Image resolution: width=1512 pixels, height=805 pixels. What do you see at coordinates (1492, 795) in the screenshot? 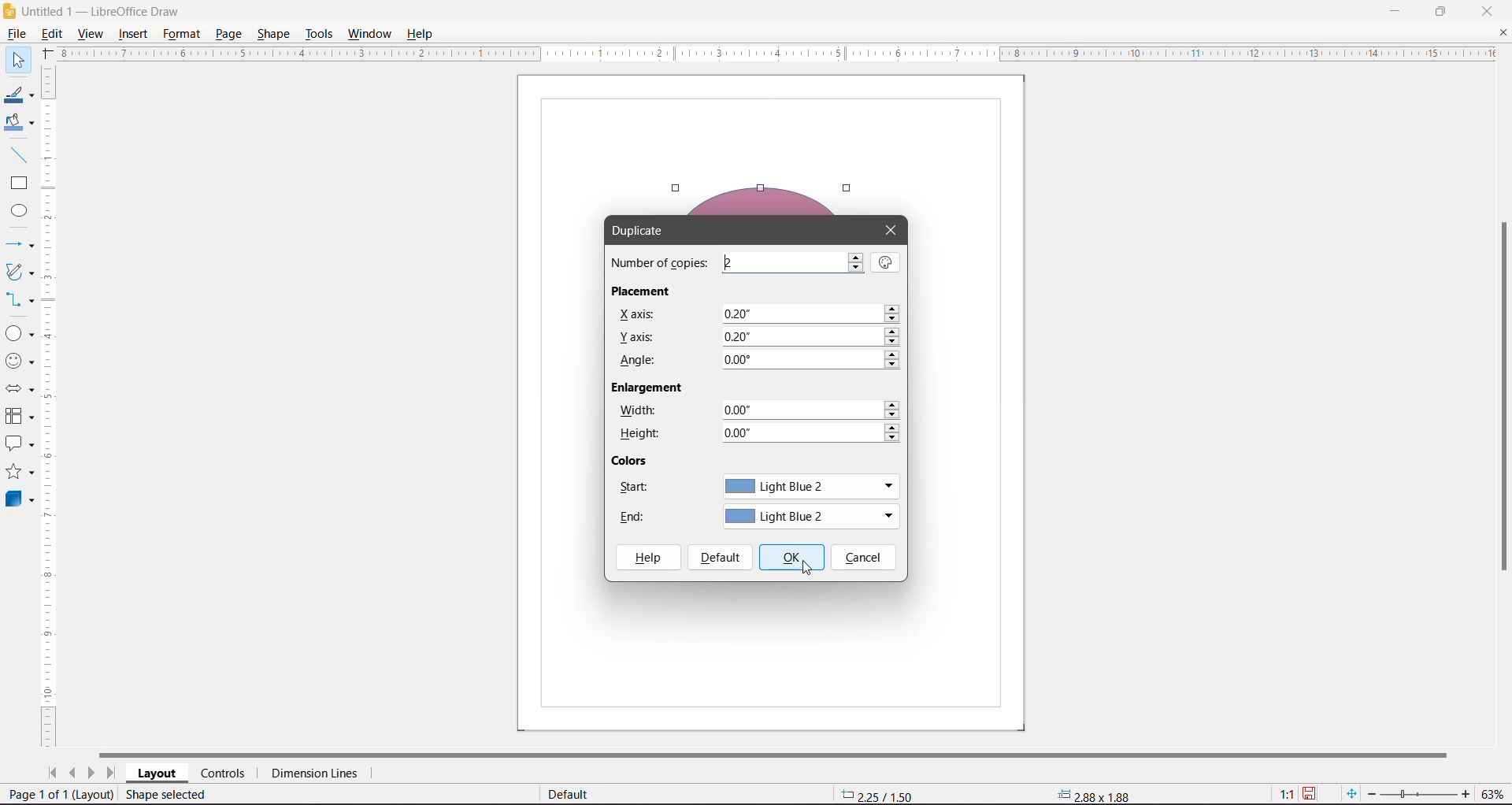
I see `Current Zoom Level` at bounding box center [1492, 795].